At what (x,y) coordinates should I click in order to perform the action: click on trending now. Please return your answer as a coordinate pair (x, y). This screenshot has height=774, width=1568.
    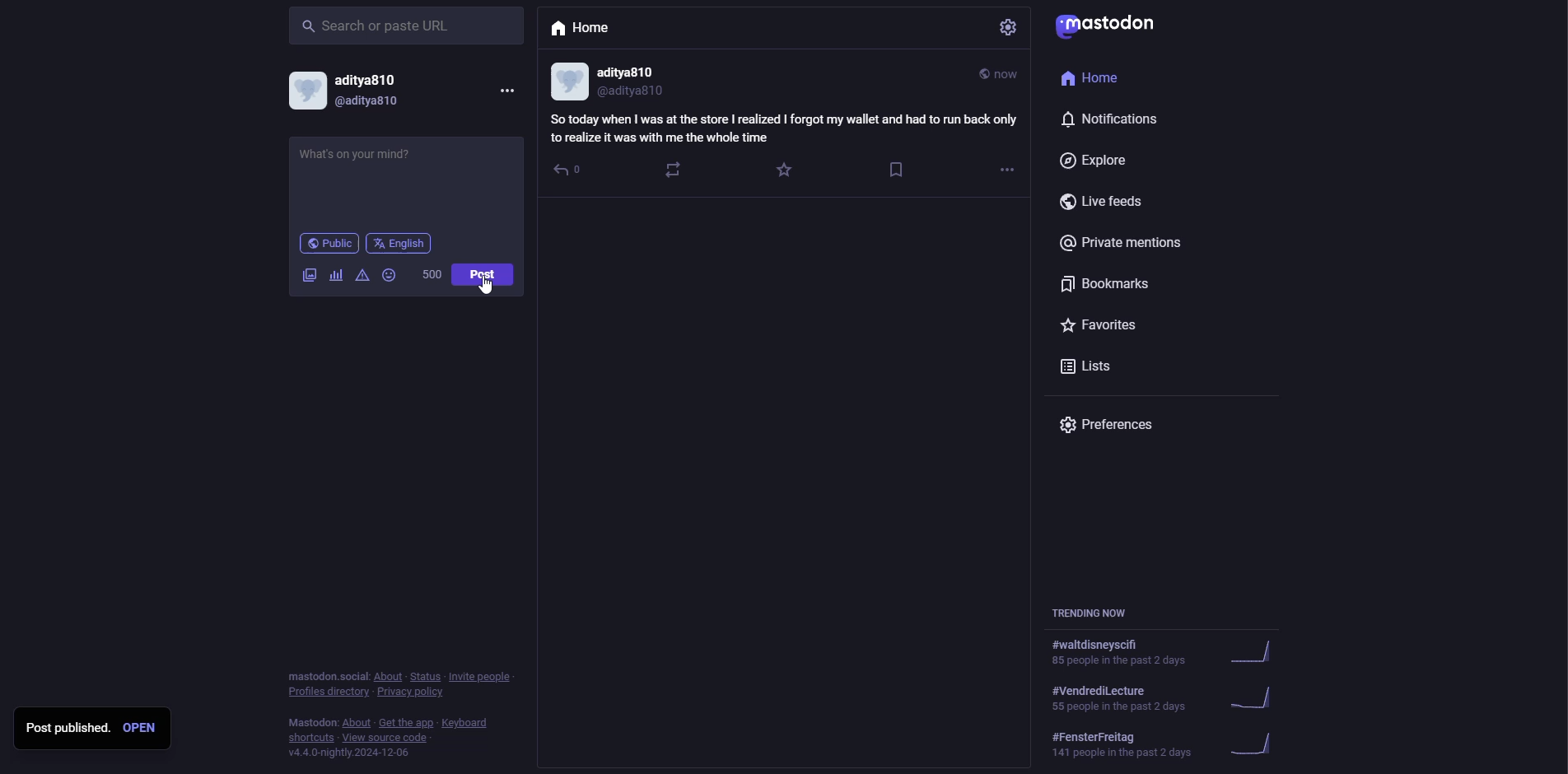
    Looking at the image, I should click on (1169, 697).